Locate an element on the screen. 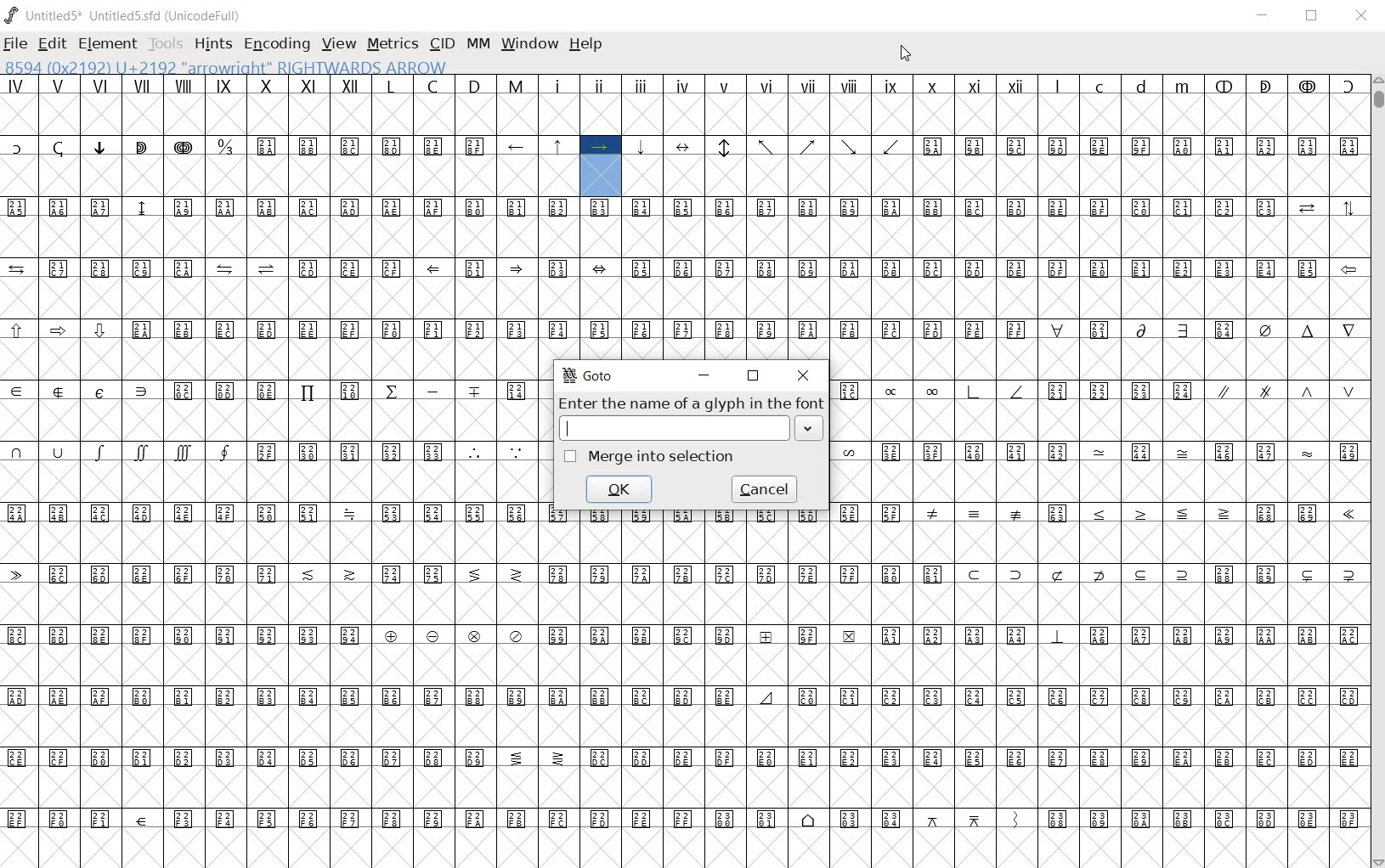  EDIT is located at coordinates (50, 43).